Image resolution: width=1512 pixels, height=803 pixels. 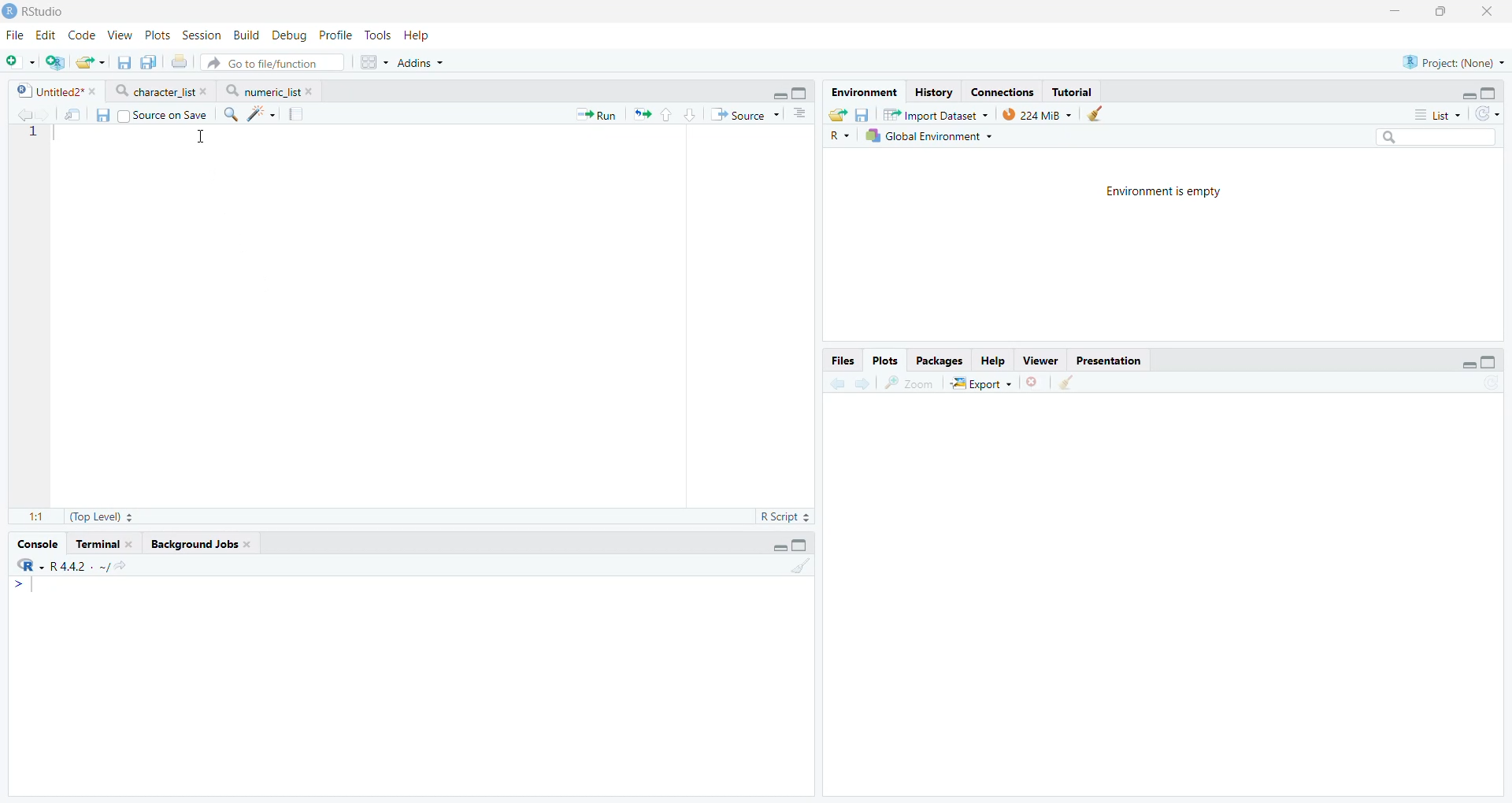 I want to click on Find/Replace, so click(x=232, y=115).